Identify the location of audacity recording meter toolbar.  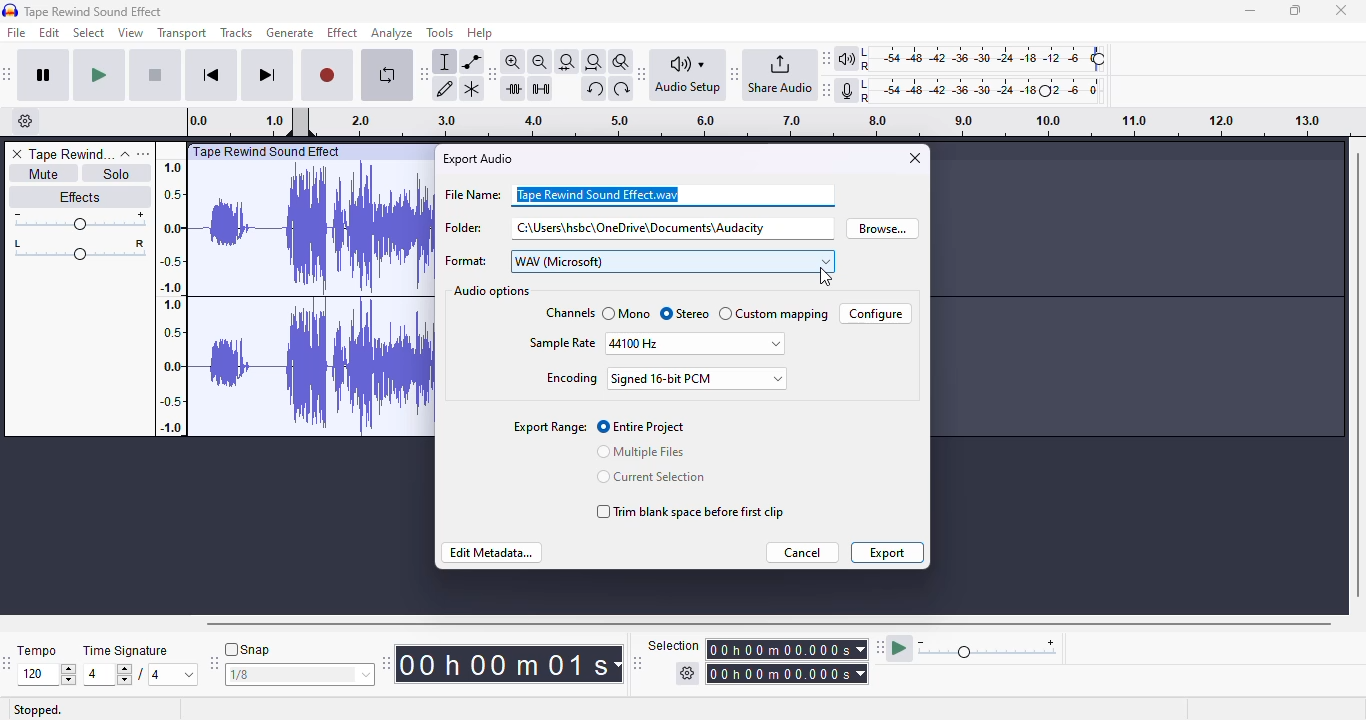
(965, 90).